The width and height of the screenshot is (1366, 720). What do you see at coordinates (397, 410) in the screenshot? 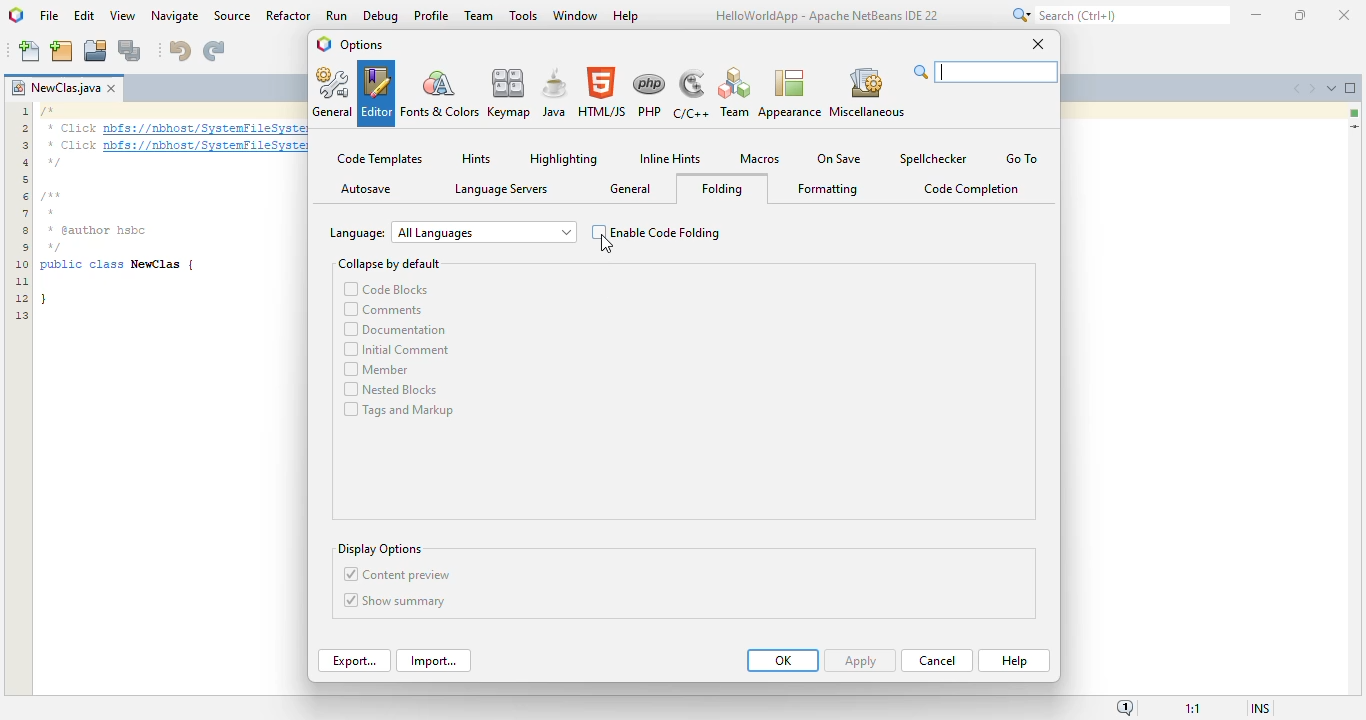
I see `tags and markup` at bounding box center [397, 410].